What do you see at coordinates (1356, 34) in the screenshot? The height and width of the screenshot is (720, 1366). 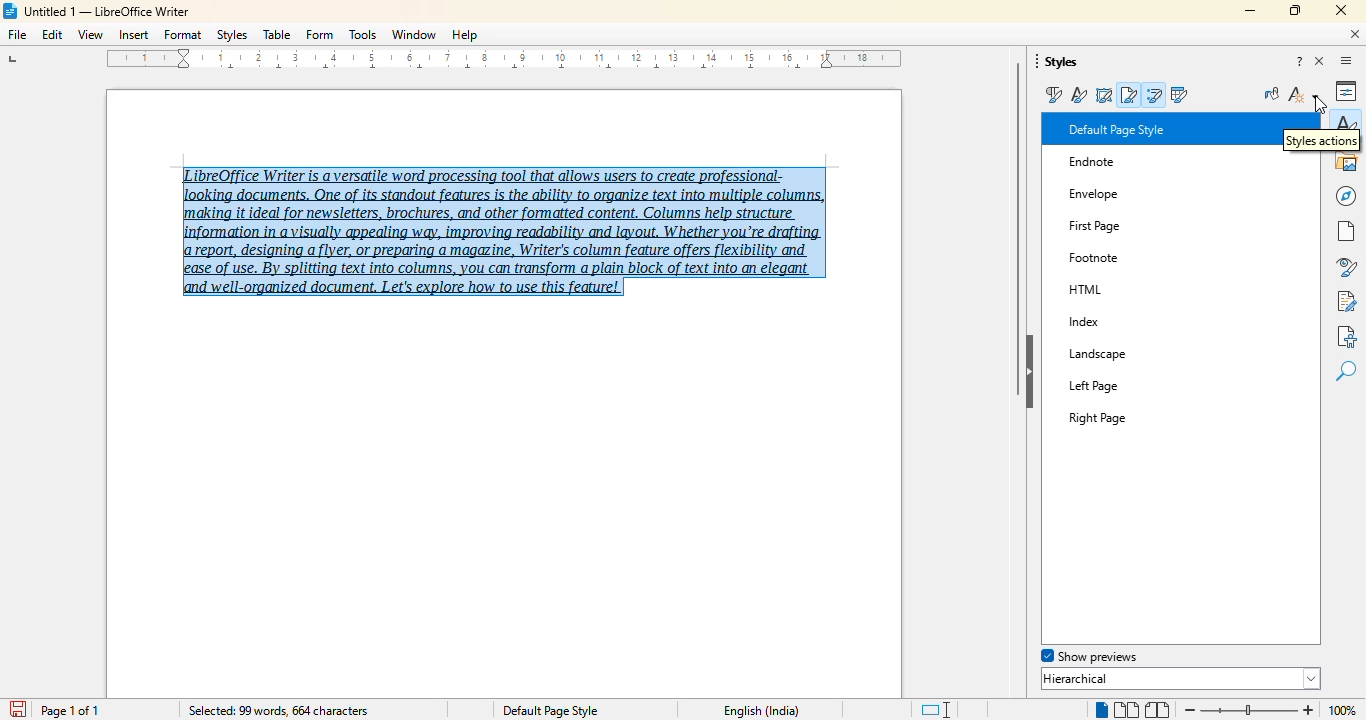 I see `close document` at bounding box center [1356, 34].